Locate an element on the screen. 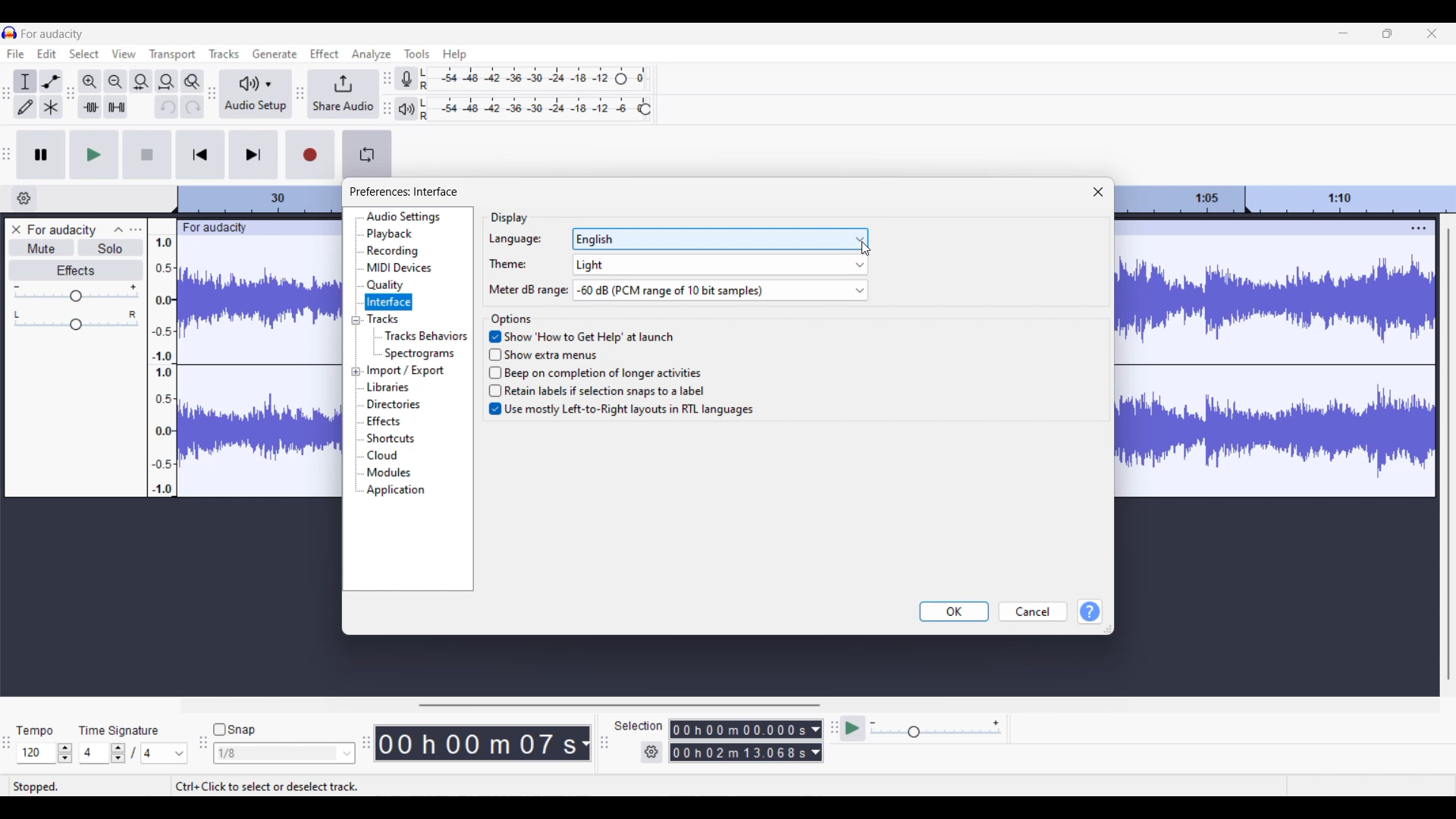 The width and height of the screenshot is (1456, 819). Cancel is located at coordinates (1034, 612).